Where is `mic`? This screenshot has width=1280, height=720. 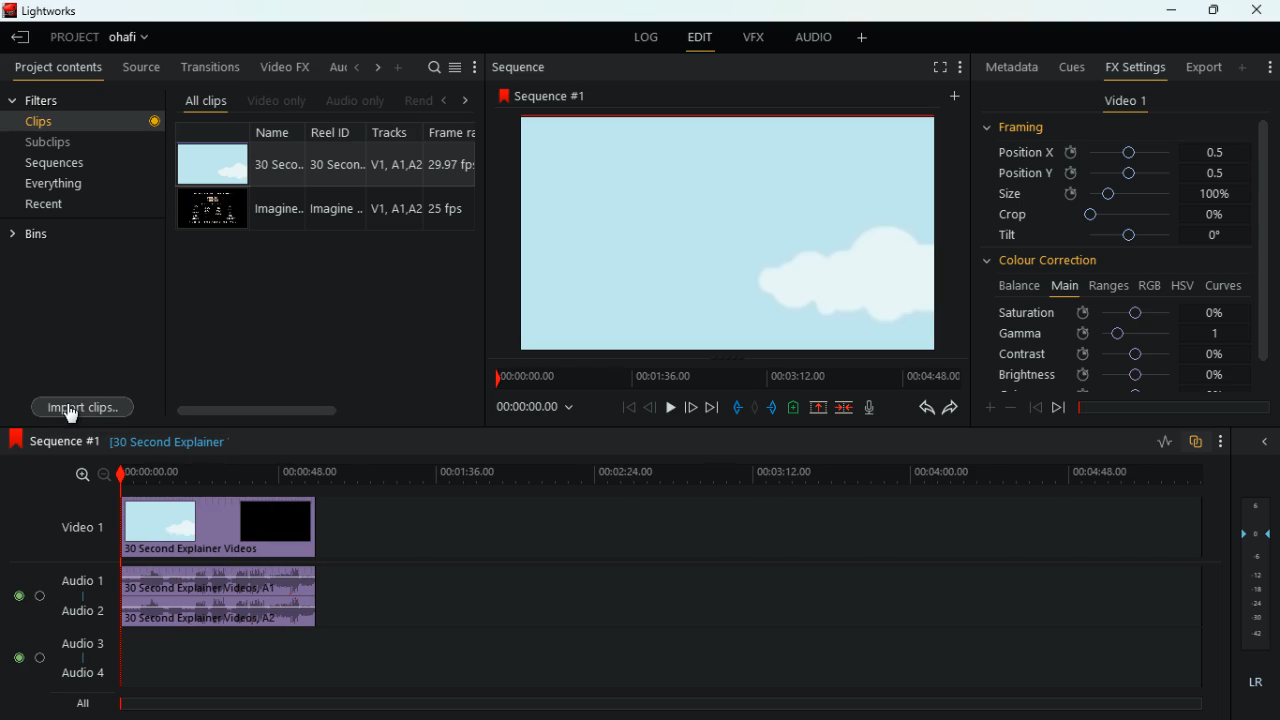 mic is located at coordinates (866, 408).